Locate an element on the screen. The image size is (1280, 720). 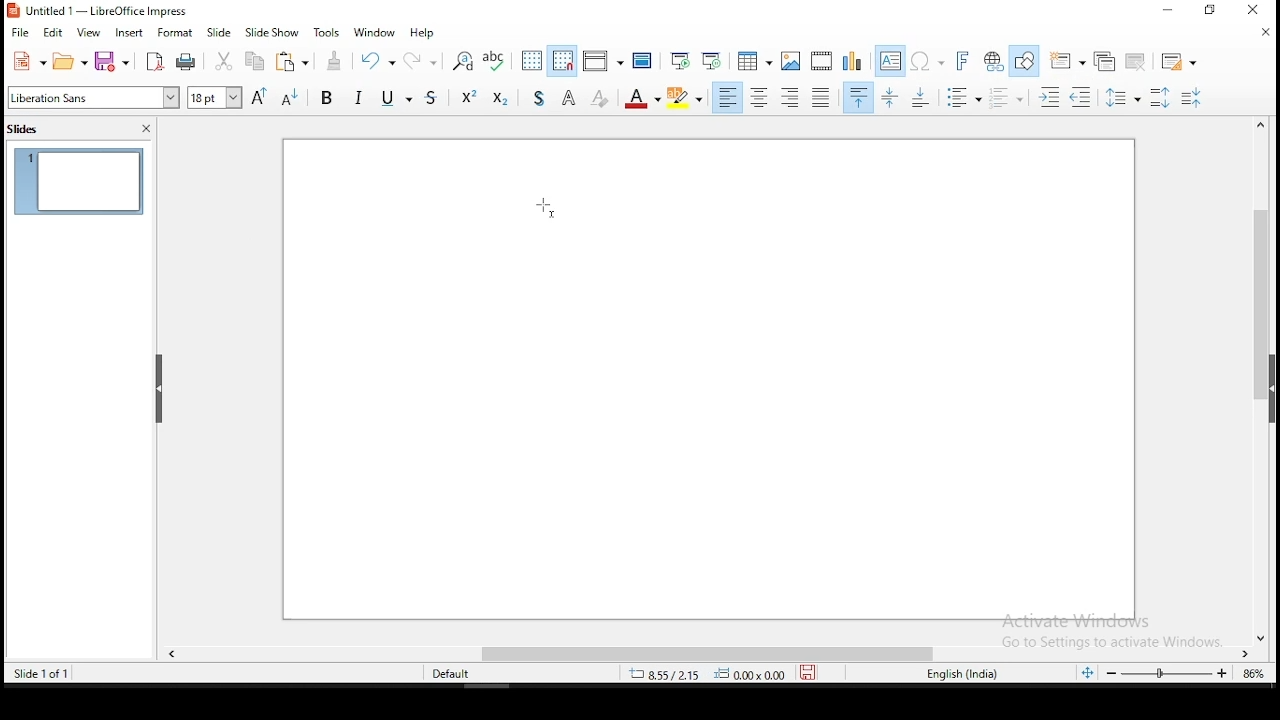
insert chart is located at coordinates (852, 60).